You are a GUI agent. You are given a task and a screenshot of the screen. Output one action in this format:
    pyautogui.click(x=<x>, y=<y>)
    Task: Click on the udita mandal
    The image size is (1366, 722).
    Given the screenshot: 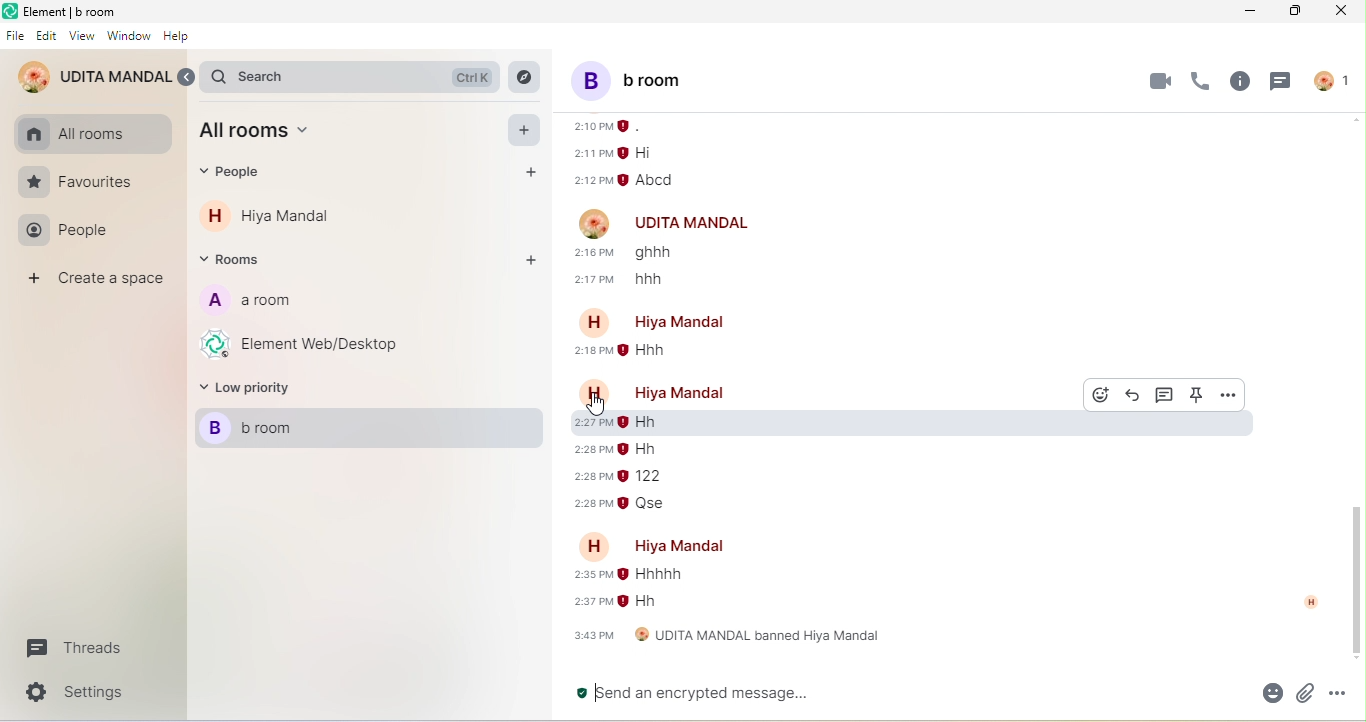 What is the action you would take?
    pyautogui.click(x=94, y=78)
    